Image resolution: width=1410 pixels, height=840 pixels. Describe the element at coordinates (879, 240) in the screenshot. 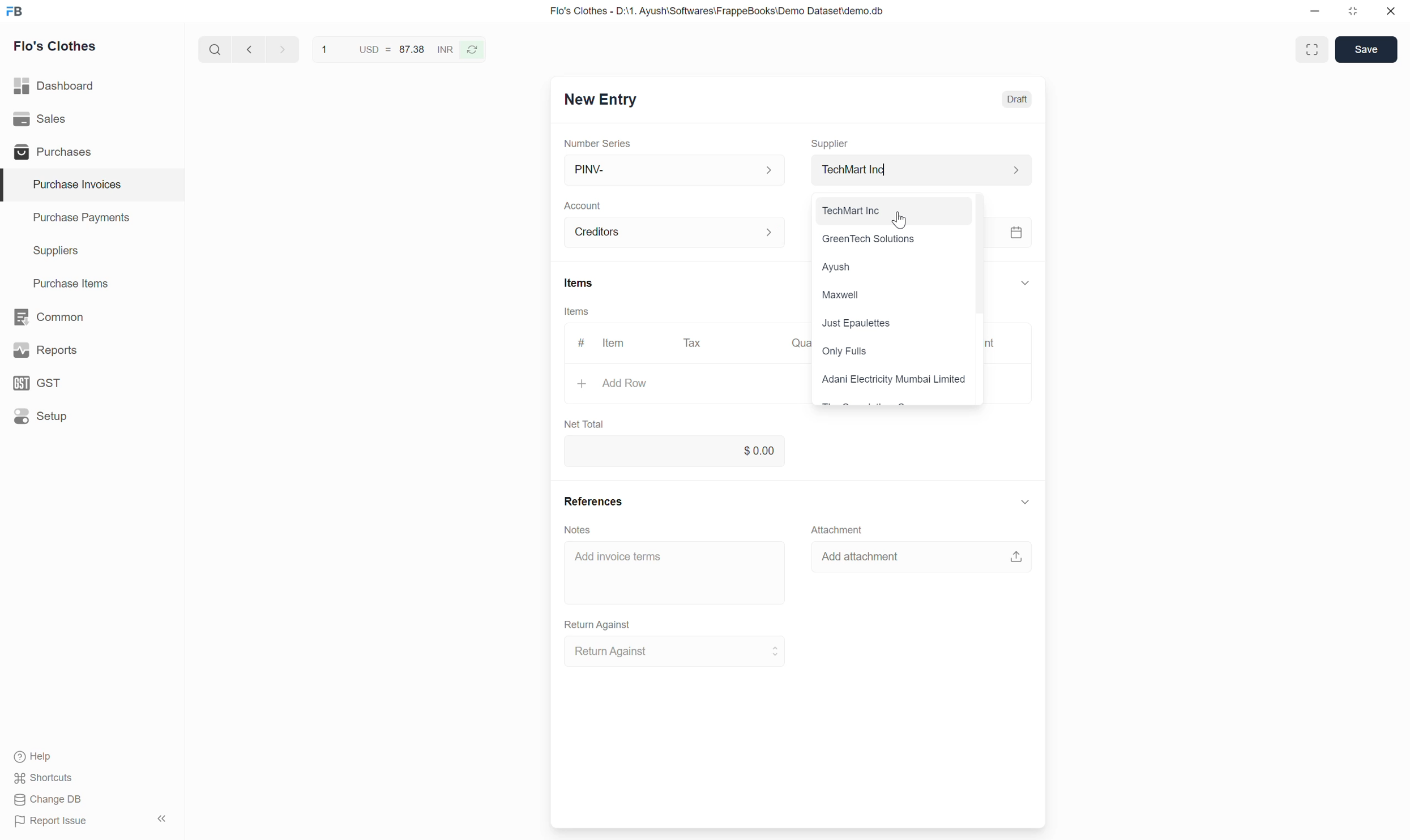

I see `: GreenTech Solutions` at that location.